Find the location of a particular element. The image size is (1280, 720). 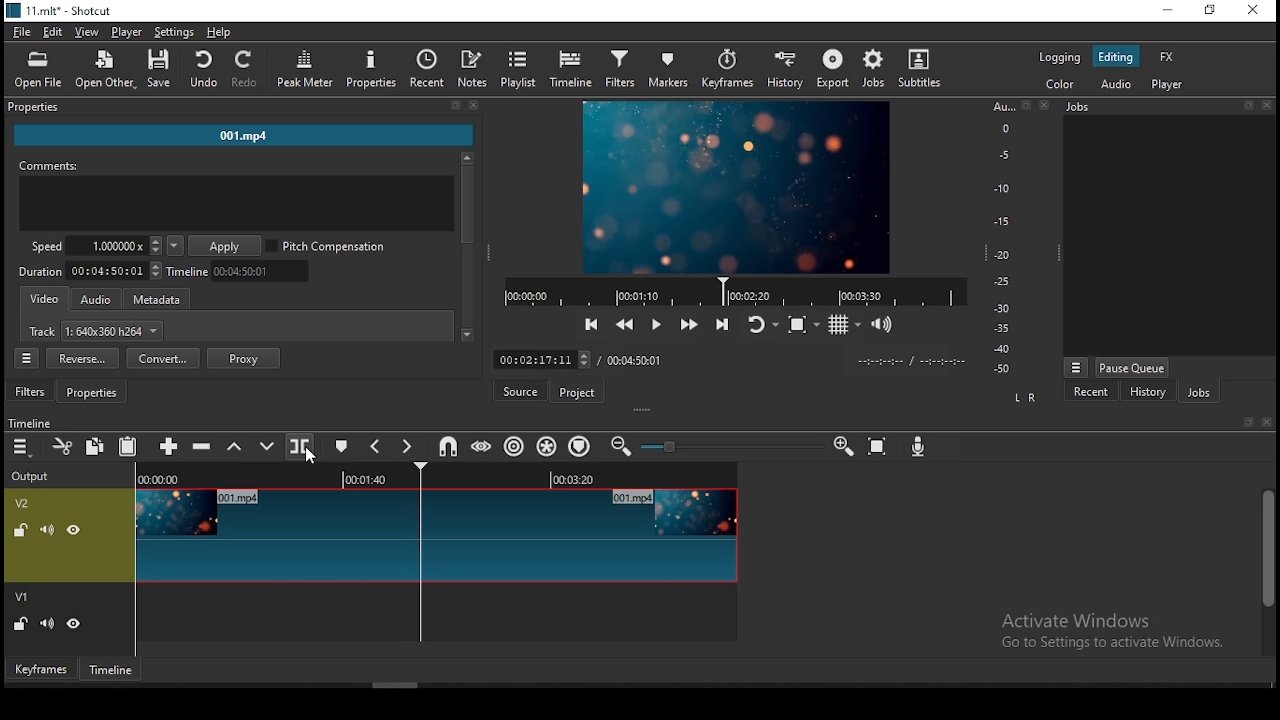

MAX TIME is located at coordinates (635, 360).